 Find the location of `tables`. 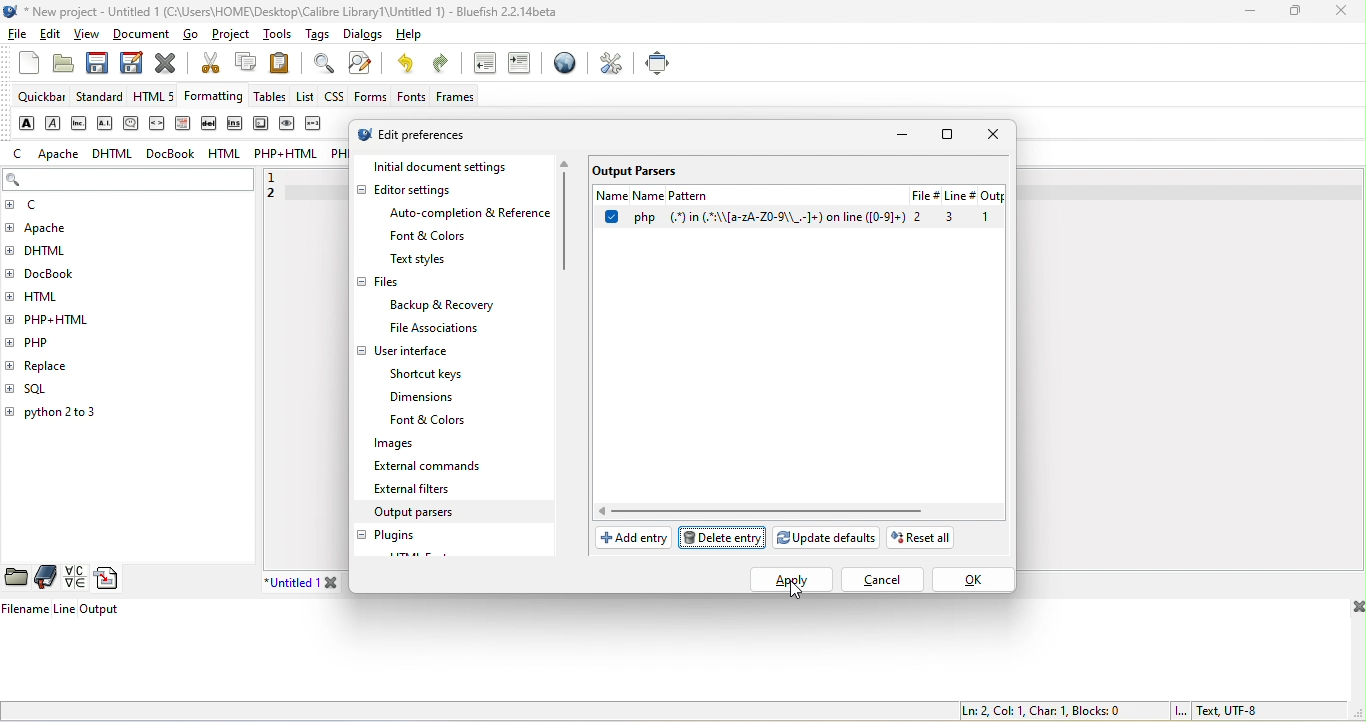

tables is located at coordinates (272, 99).